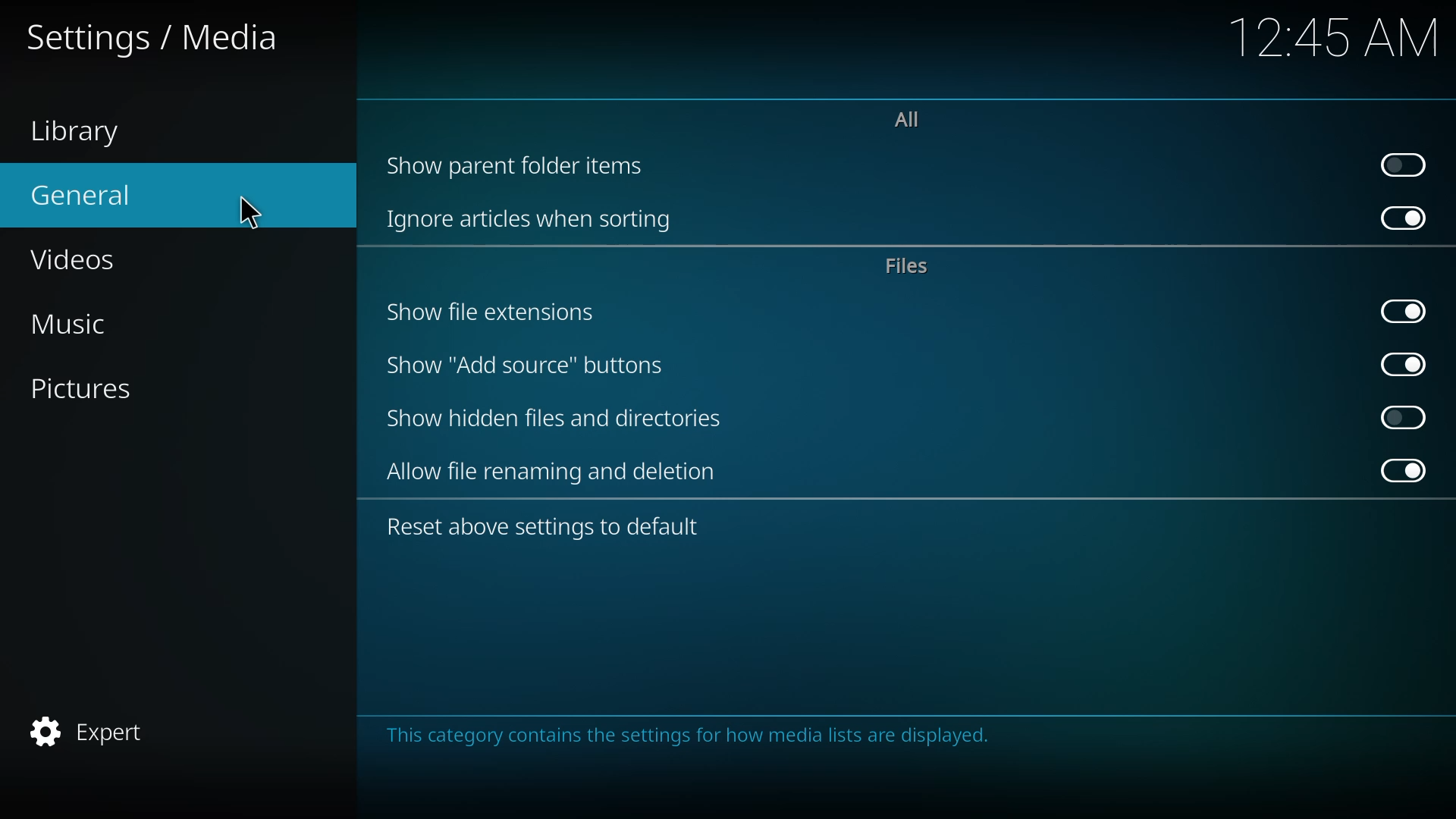  What do you see at coordinates (93, 731) in the screenshot?
I see `expert` at bounding box center [93, 731].